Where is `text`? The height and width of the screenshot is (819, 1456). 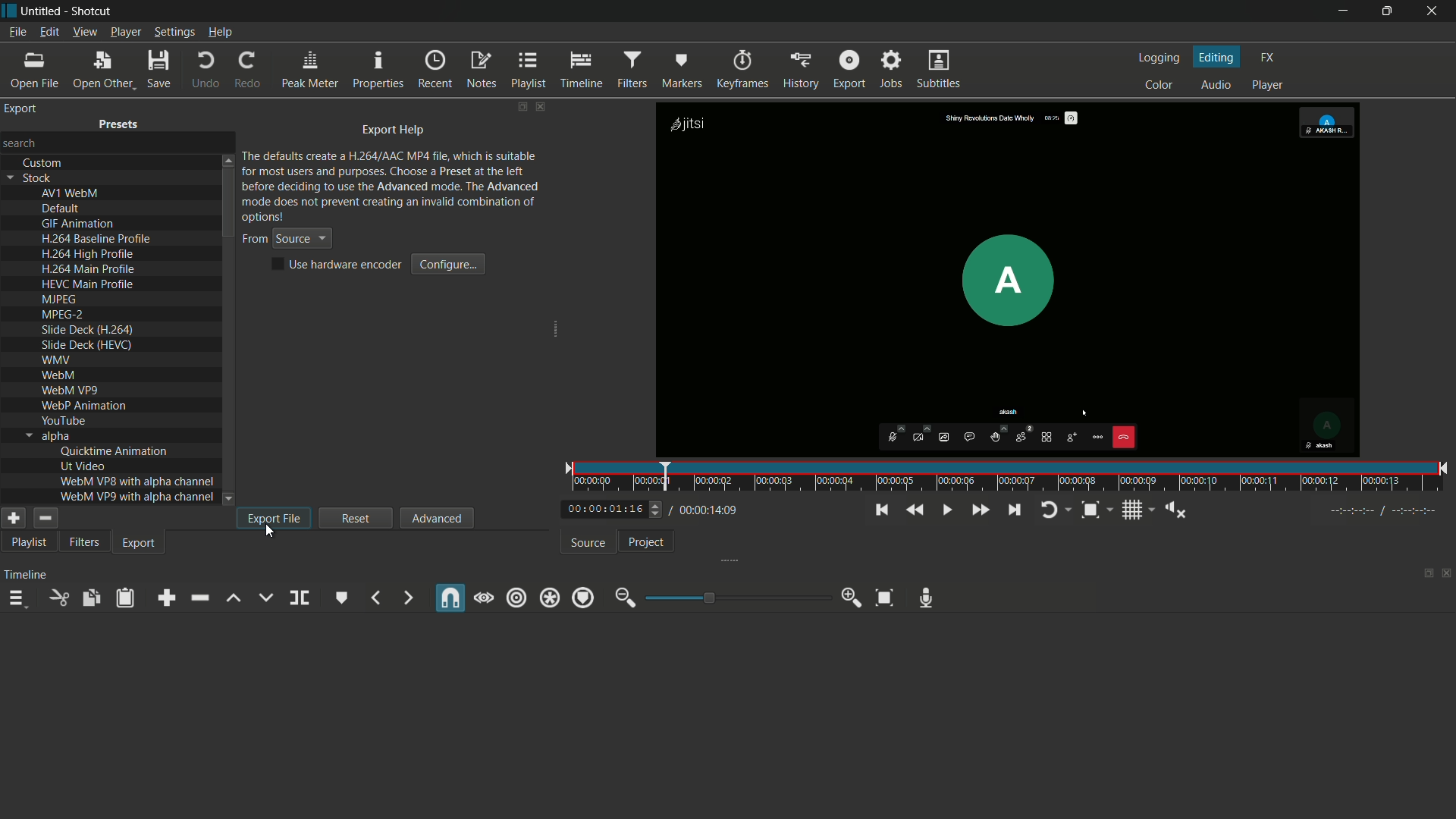
text is located at coordinates (86, 330).